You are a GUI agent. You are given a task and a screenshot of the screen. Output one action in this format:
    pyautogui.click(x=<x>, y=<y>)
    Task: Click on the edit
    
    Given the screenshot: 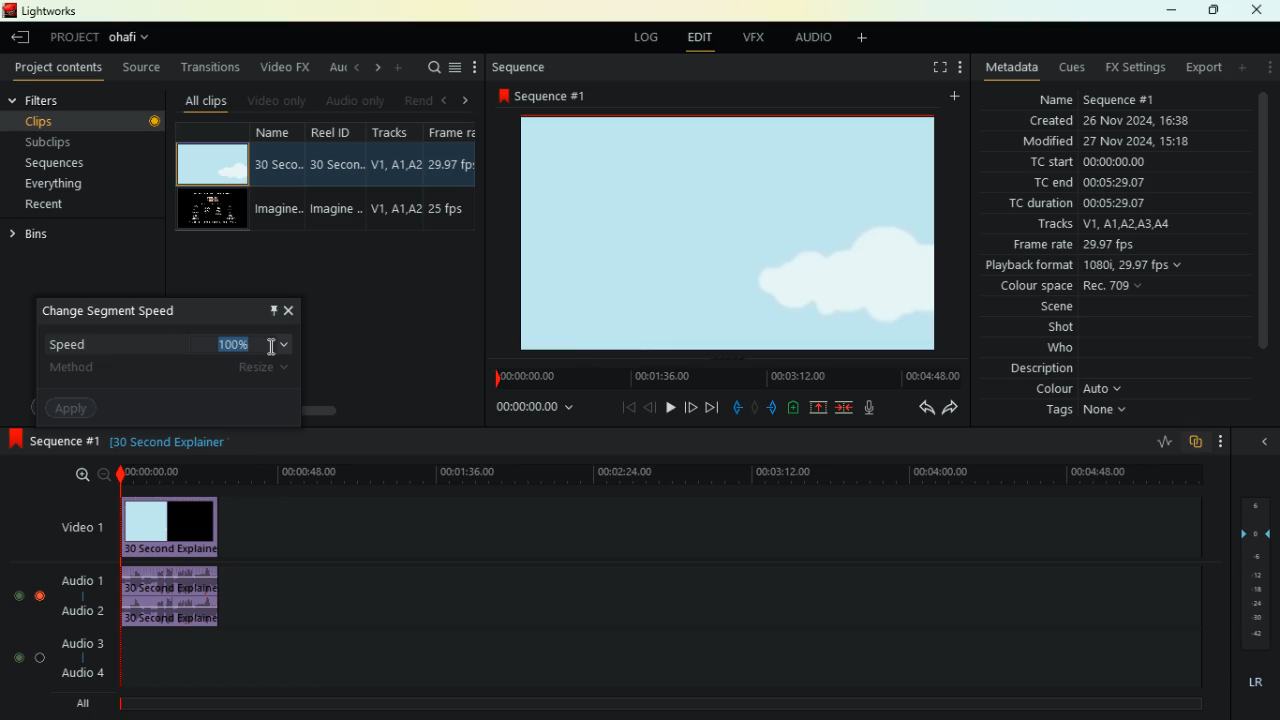 What is the action you would take?
    pyautogui.click(x=705, y=40)
    